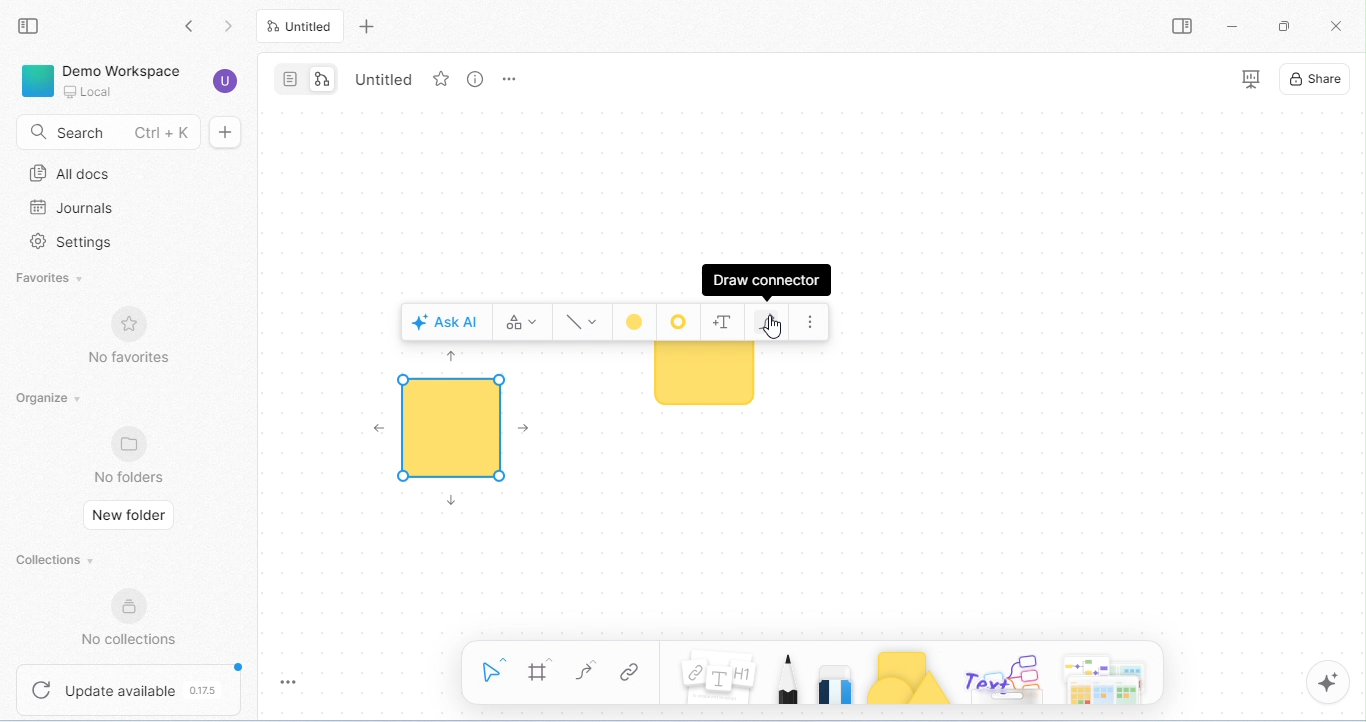  I want to click on draw connector, so click(765, 280).